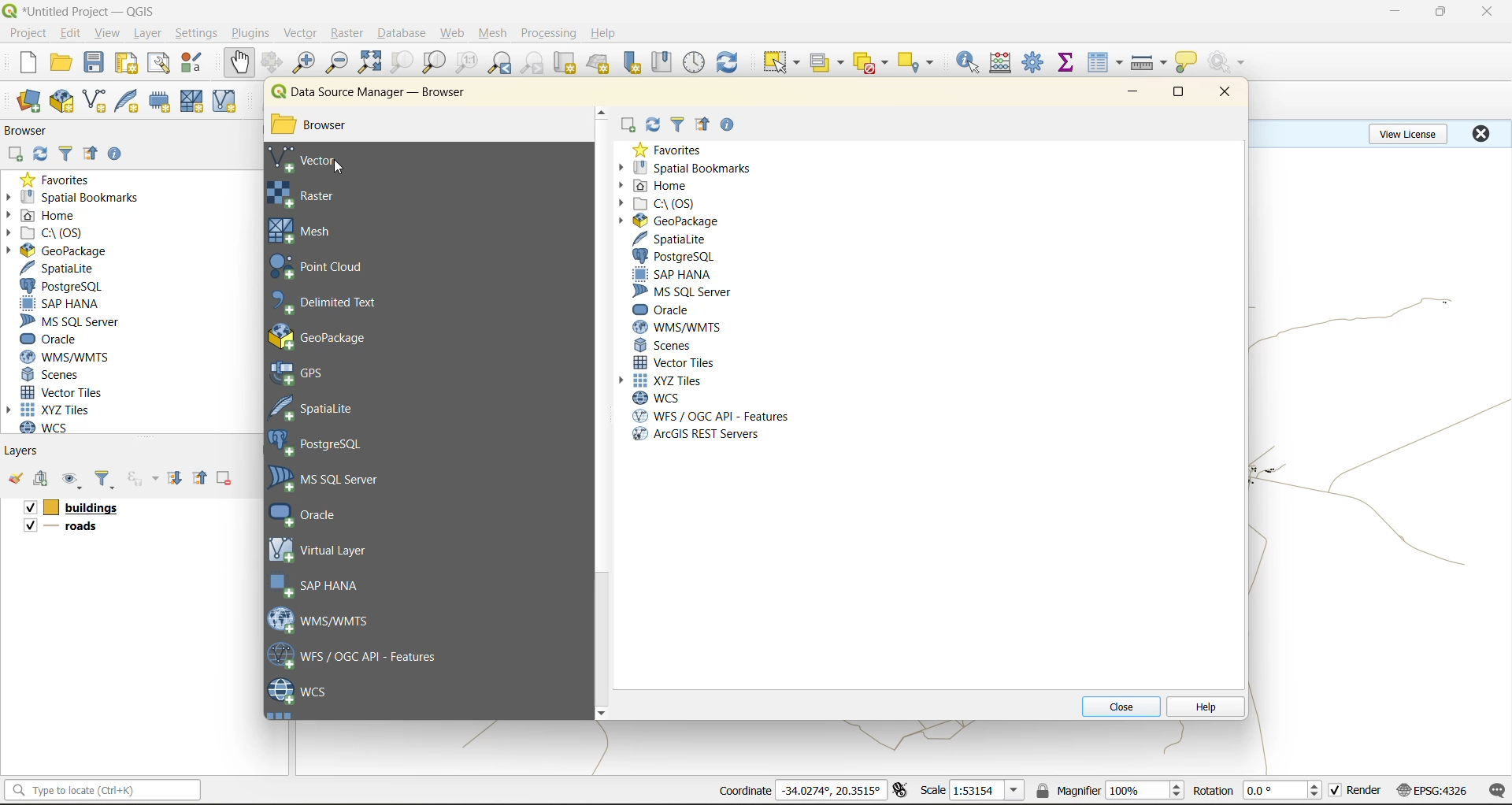 The height and width of the screenshot is (805, 1512). Describe the element at coordinates (400, 64) in the screenshot. I see `zoom selection` at that location.